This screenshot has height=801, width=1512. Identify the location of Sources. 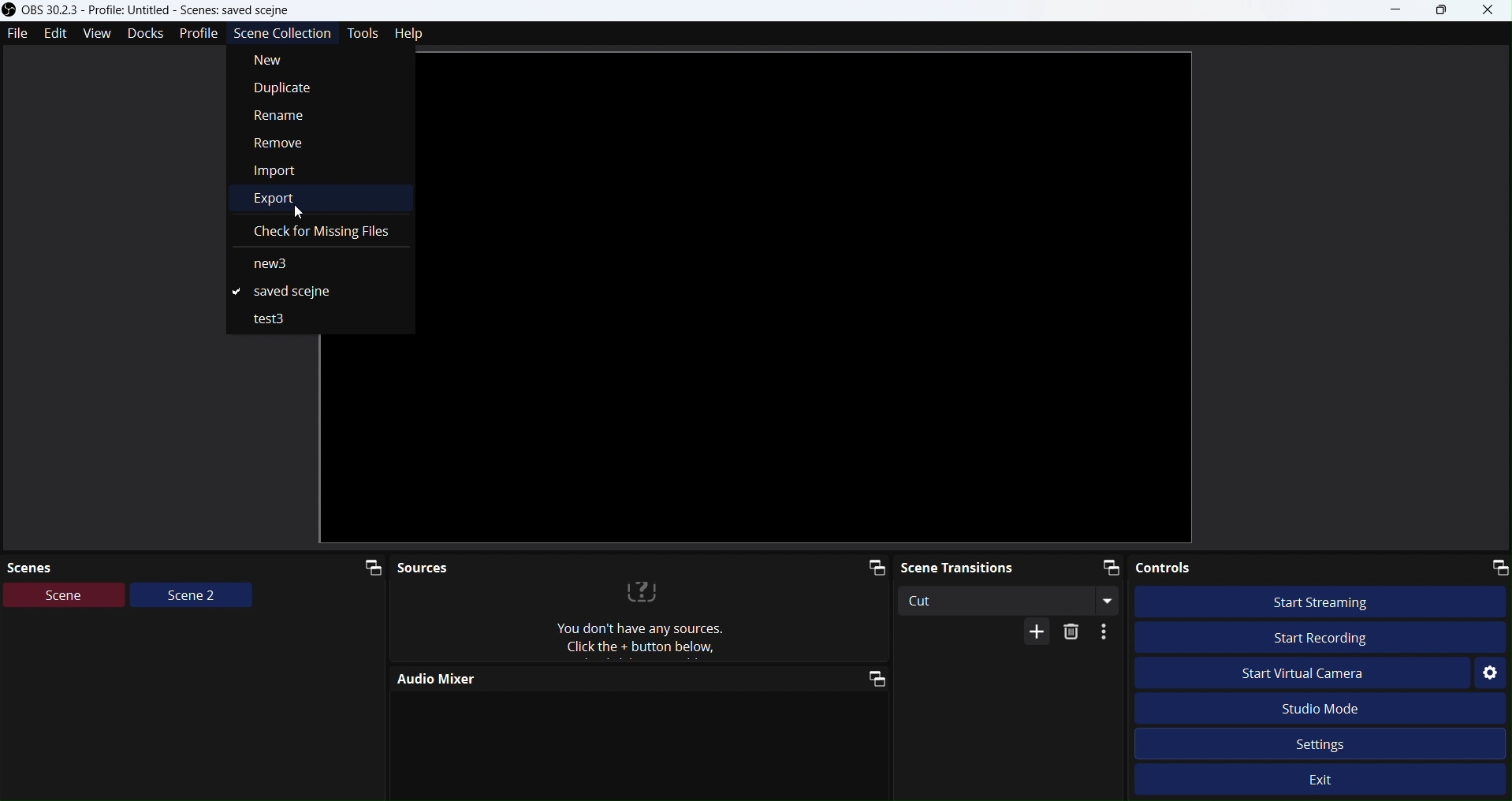
(642, 569).